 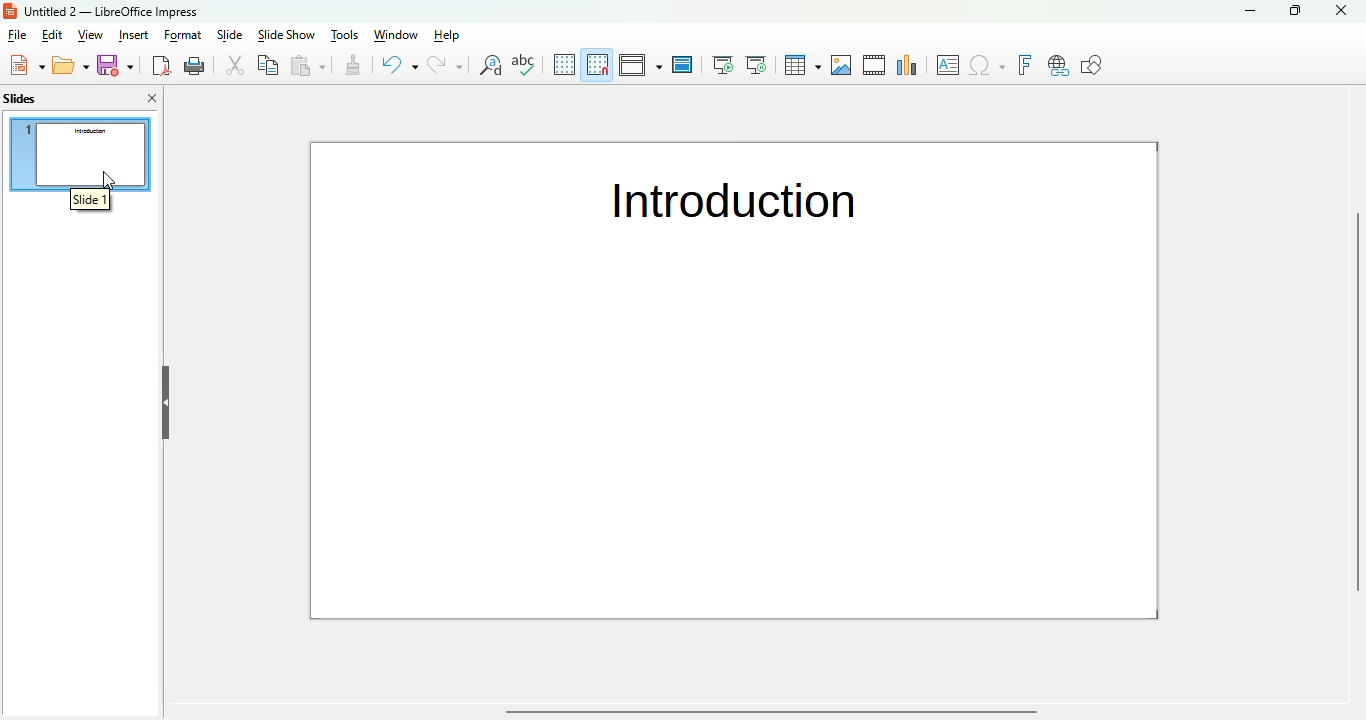 I want to click on view, so click(x=90, y=35).